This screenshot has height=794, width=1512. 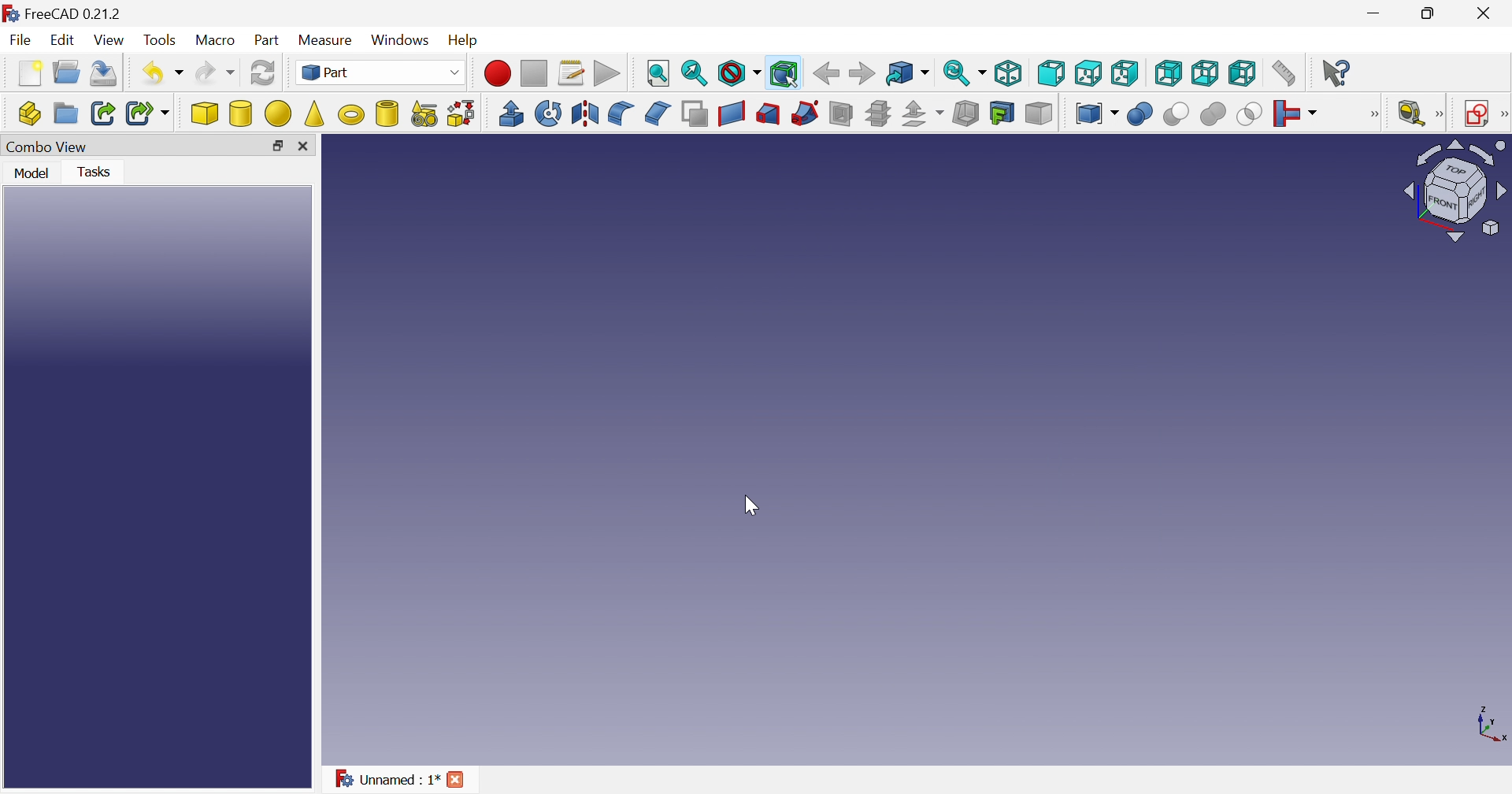 What do you see at coordinates (1377, 13) in the screenshot?
I see `Minimize` at bounding box center [1377, 13].